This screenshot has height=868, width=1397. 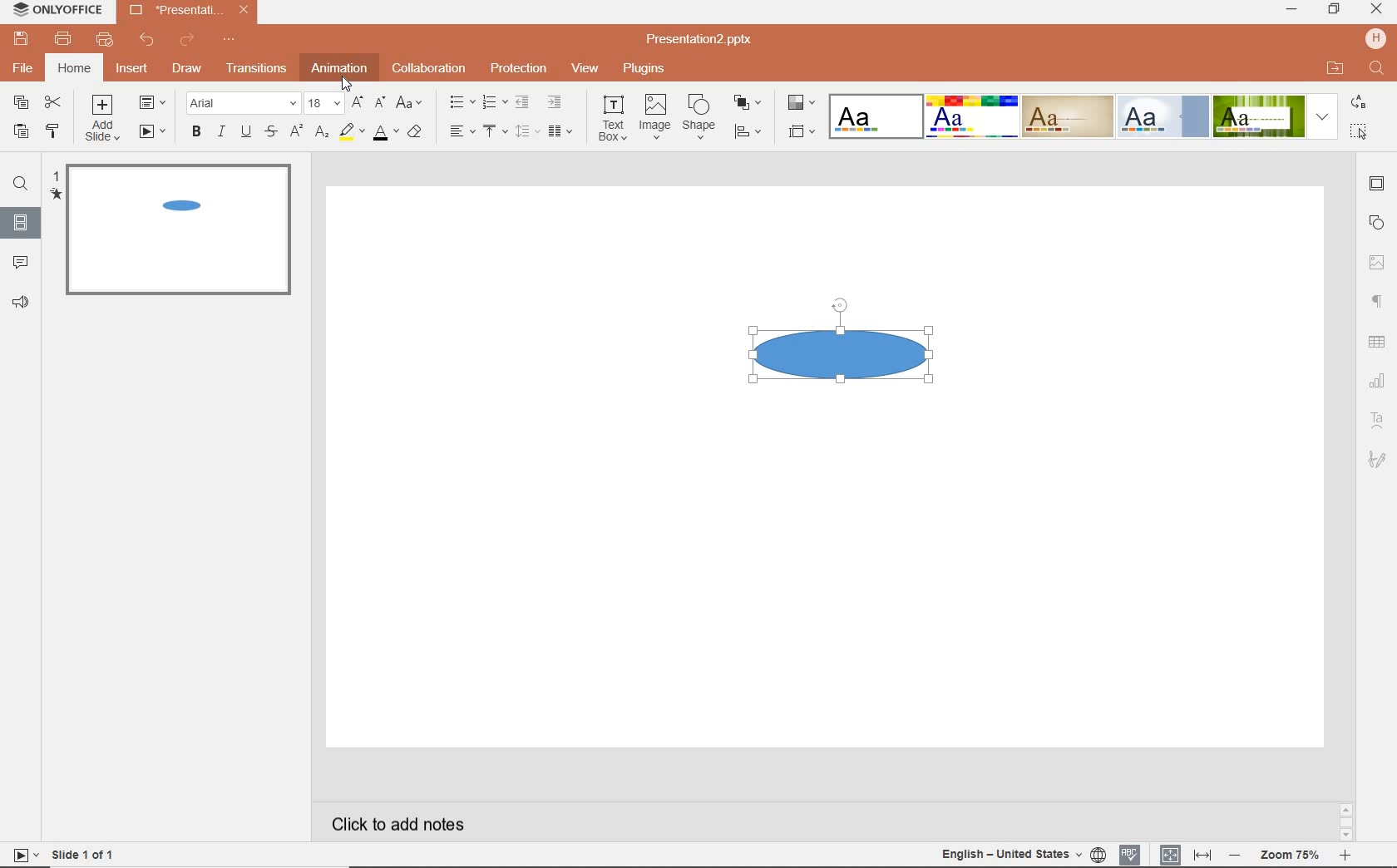 I want to click on hp, so click(x=1375, y=37).